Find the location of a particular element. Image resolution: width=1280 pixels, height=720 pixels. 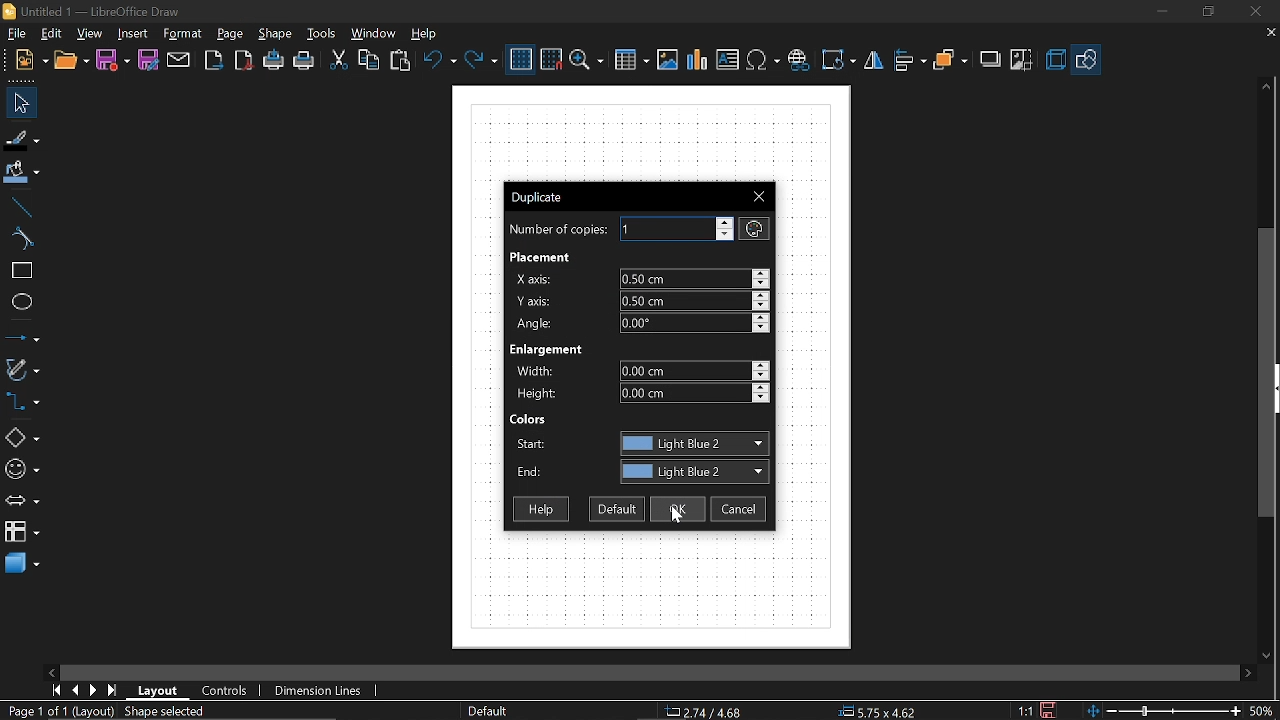

Insert image is located at coordinates (667, 60).